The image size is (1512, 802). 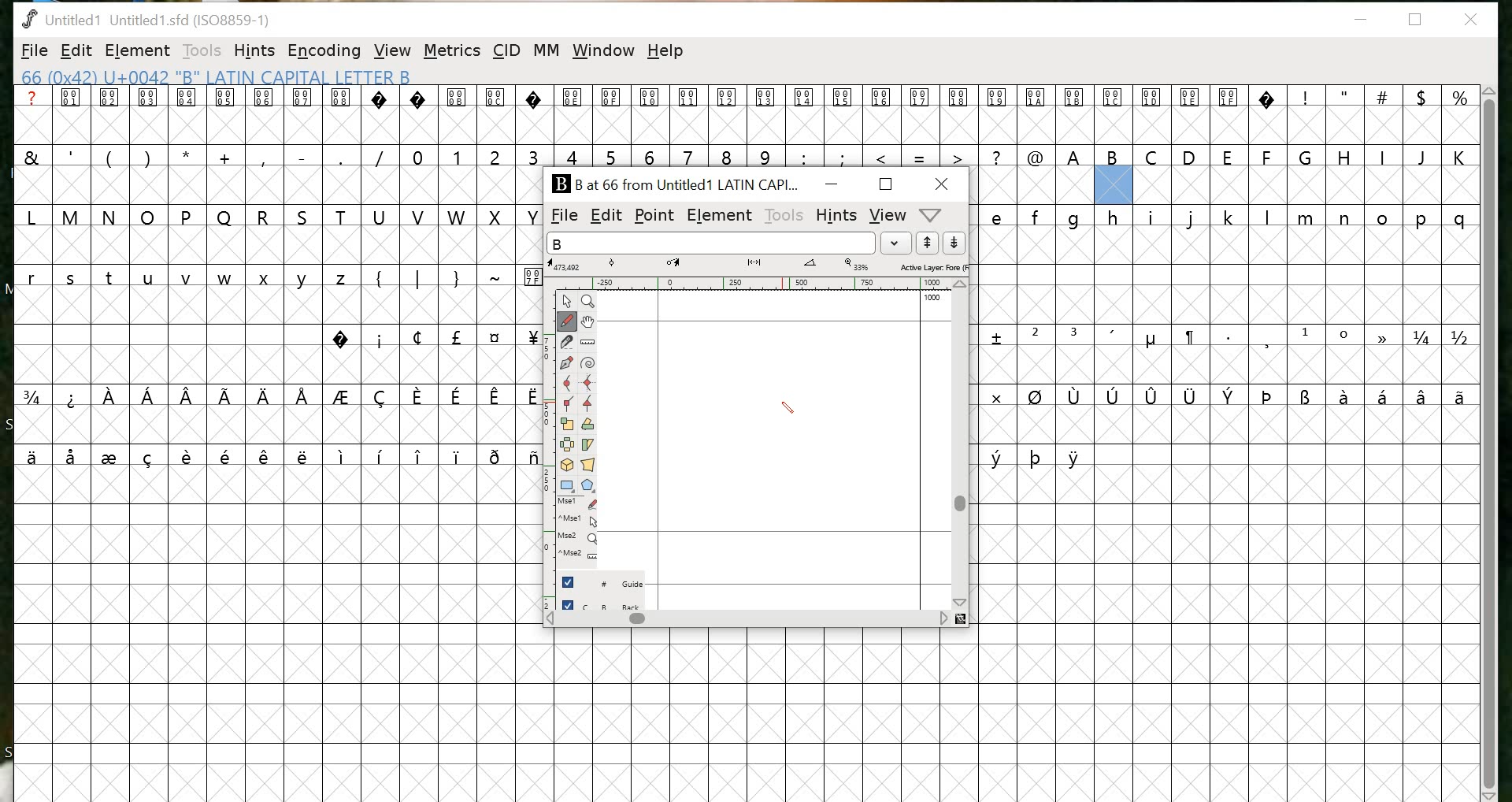 I want to click on CLOSE, so click(x=943, y=184).